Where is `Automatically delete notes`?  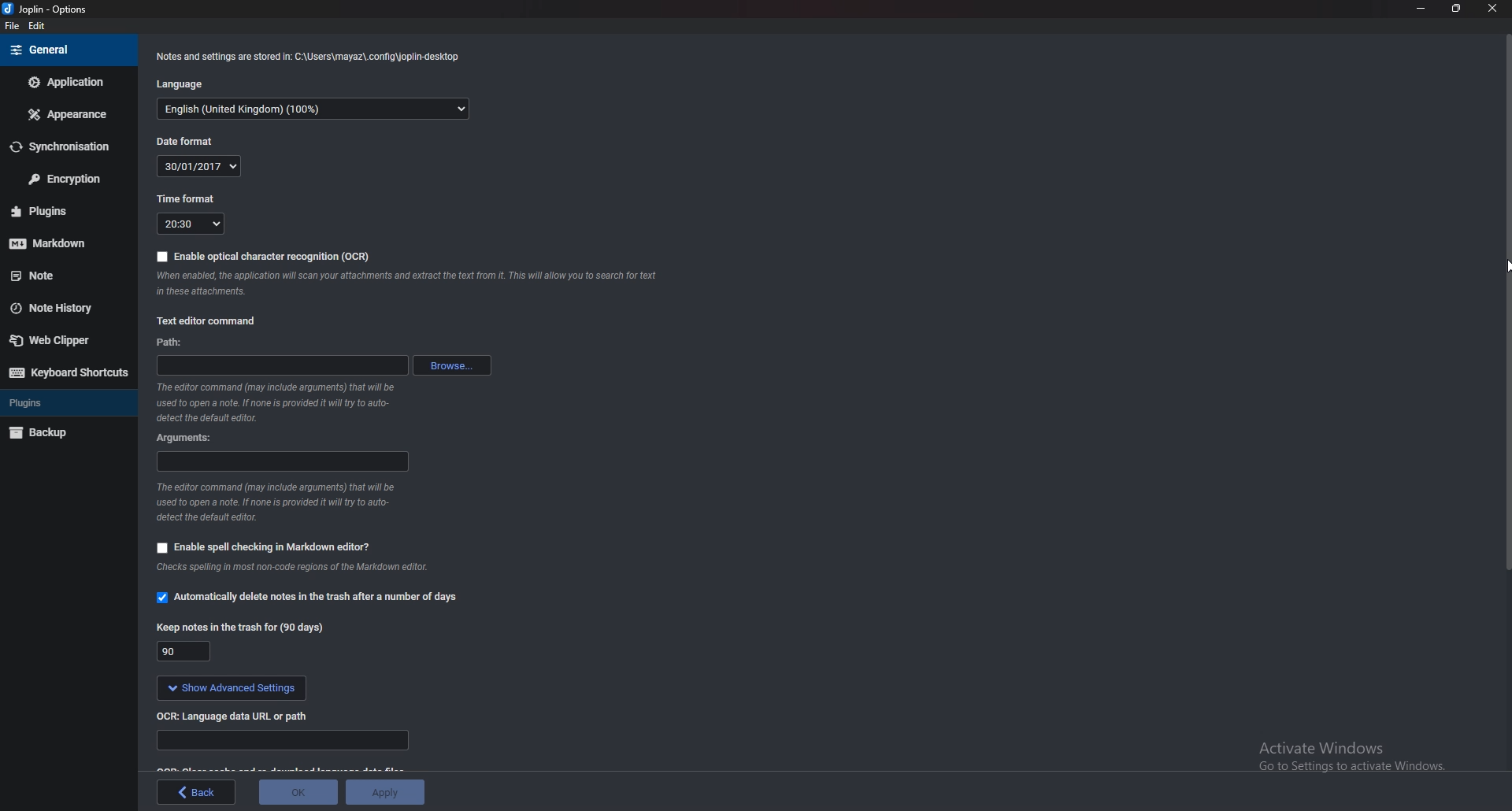 Automatically delete notes is located at coordinates (310, 600).